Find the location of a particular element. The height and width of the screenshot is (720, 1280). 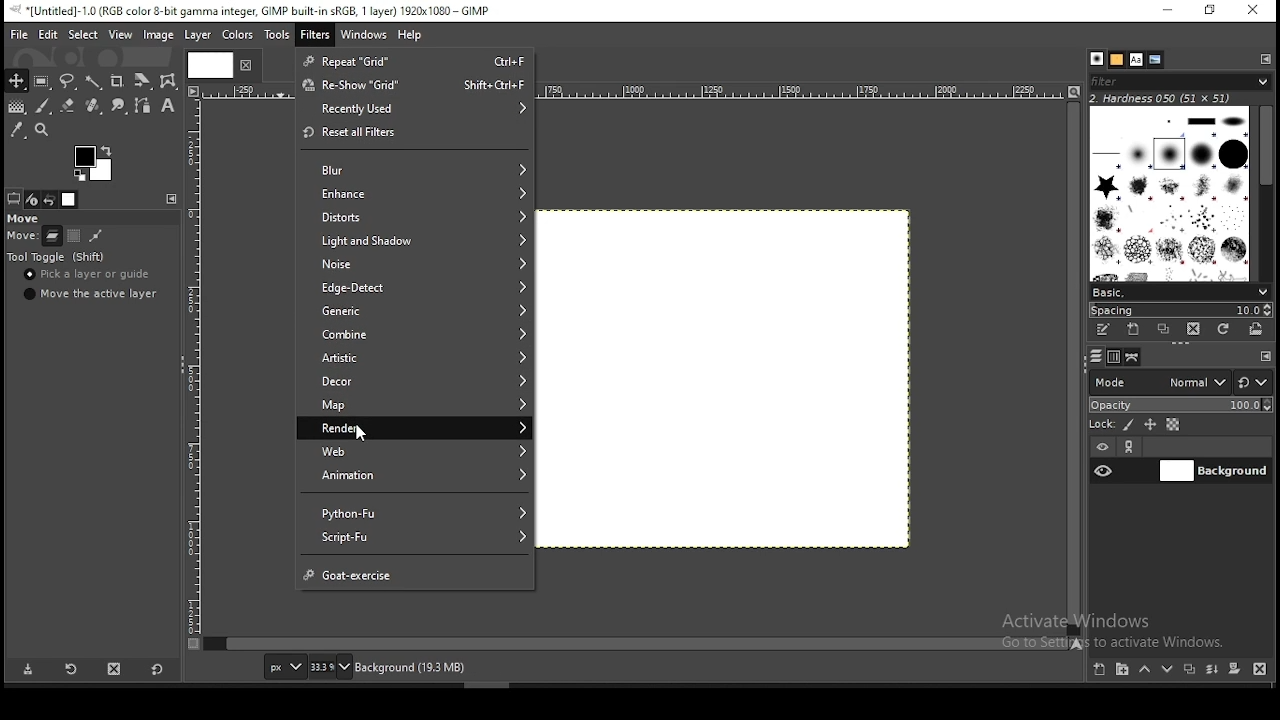

pick a layer or guide is located at coordinates (87, 275).